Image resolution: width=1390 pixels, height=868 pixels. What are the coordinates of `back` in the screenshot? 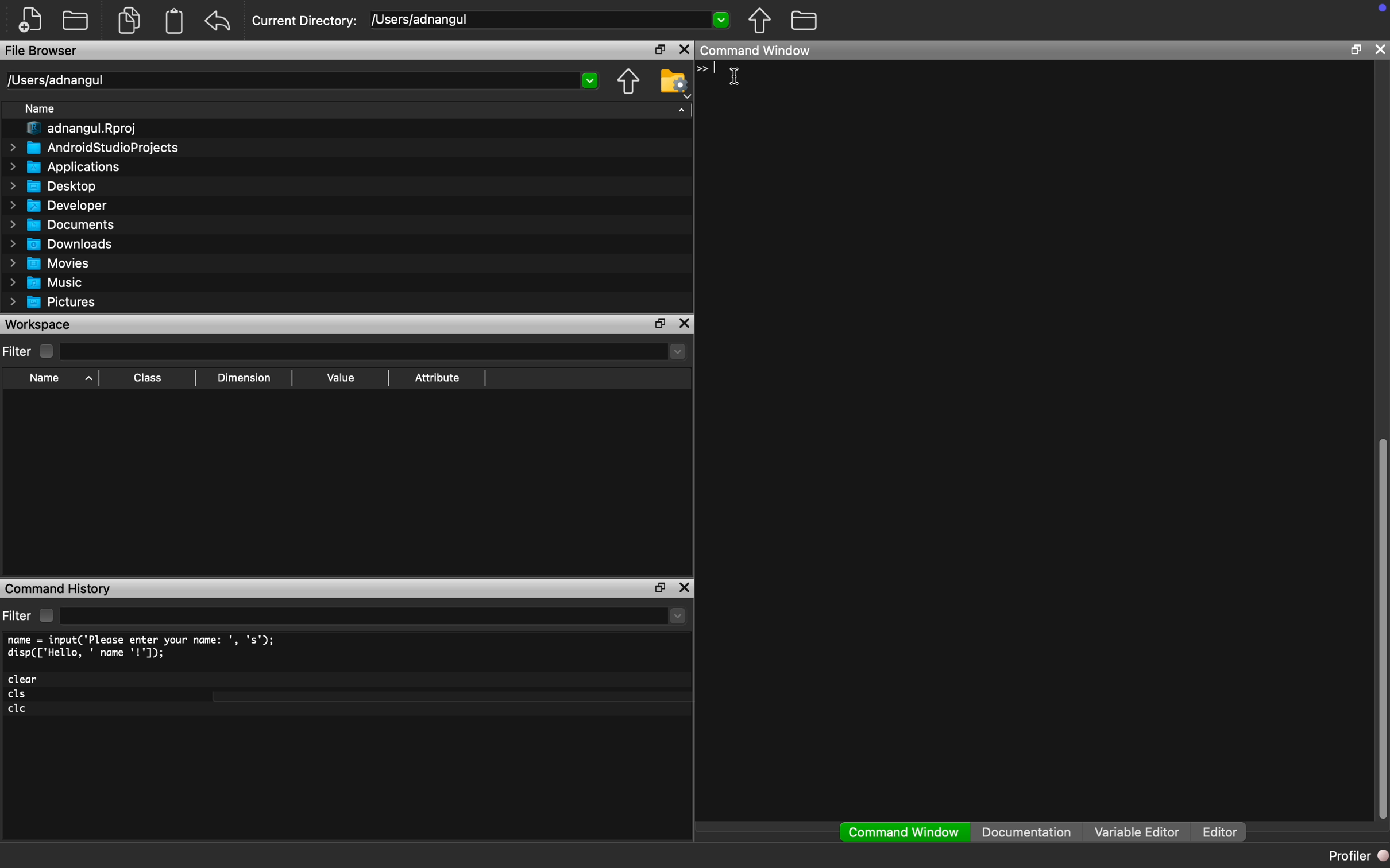 It's located at (218, 21).